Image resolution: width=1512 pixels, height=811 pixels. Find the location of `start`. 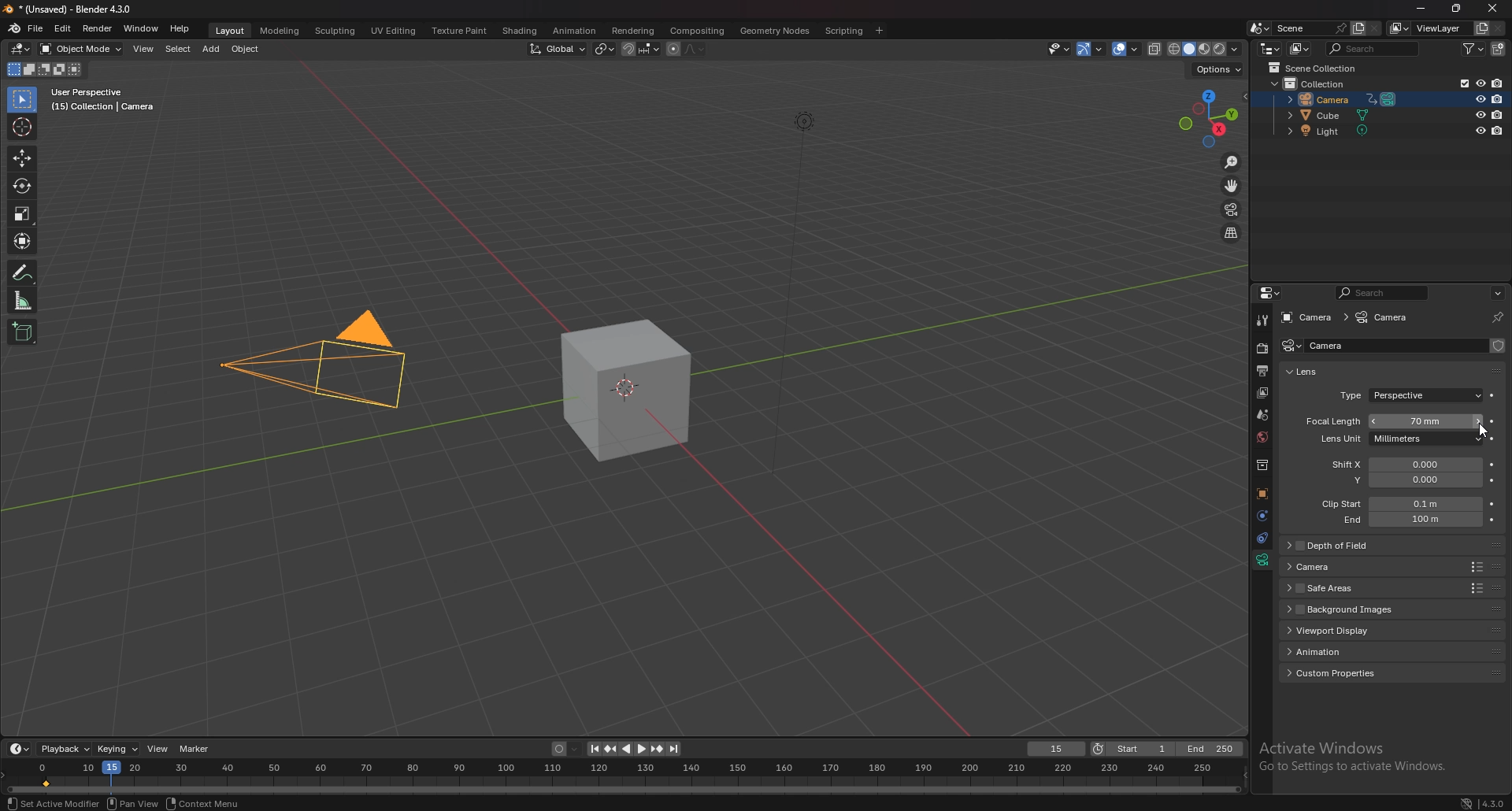

start is located at coordinates (1132, 750).